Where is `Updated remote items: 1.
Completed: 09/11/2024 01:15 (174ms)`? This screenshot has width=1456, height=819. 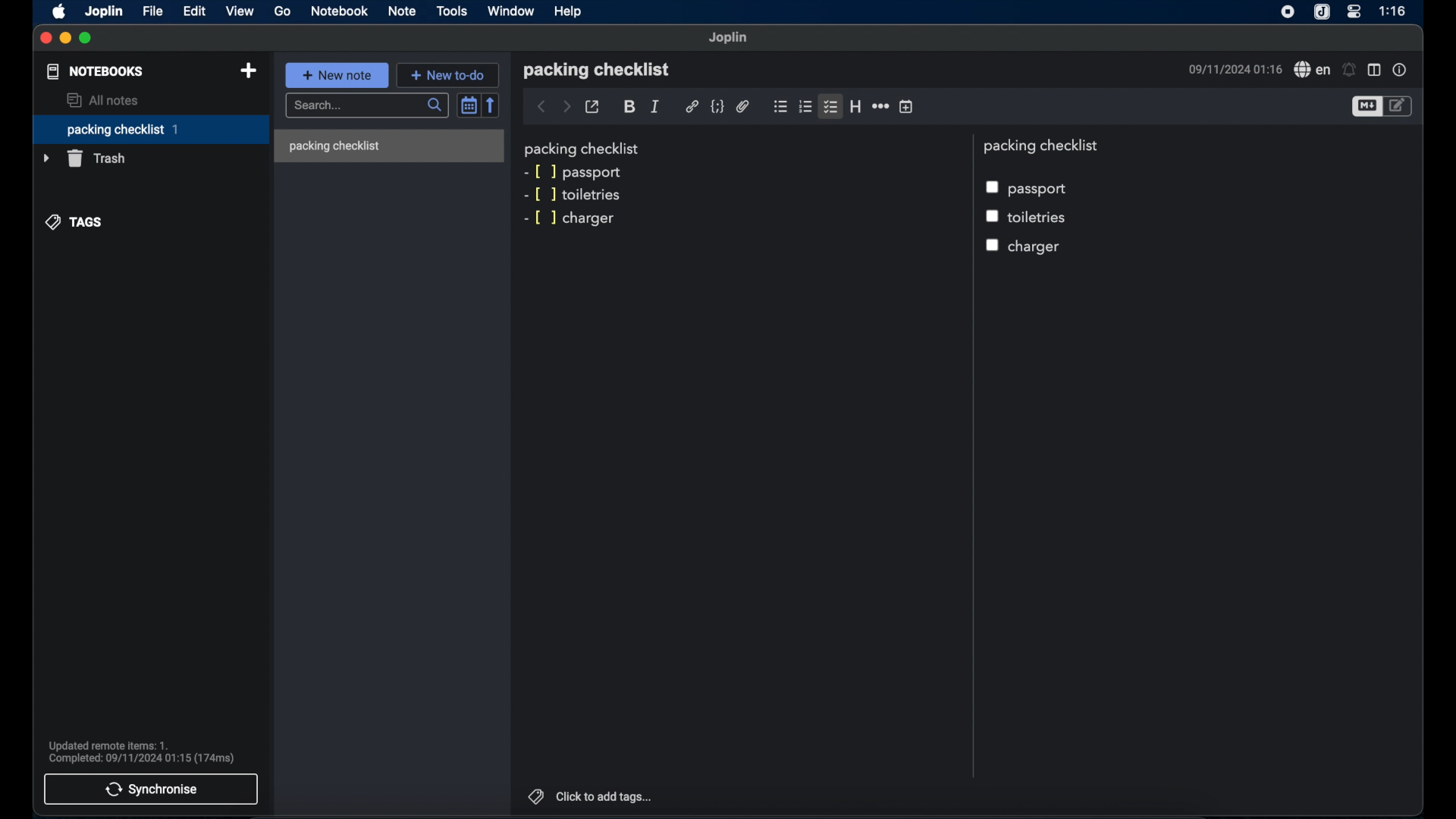
Updated remote items: 1.
Completed: 09/11/2024 01:15 (174ms) is located at coordinates (144, 749).